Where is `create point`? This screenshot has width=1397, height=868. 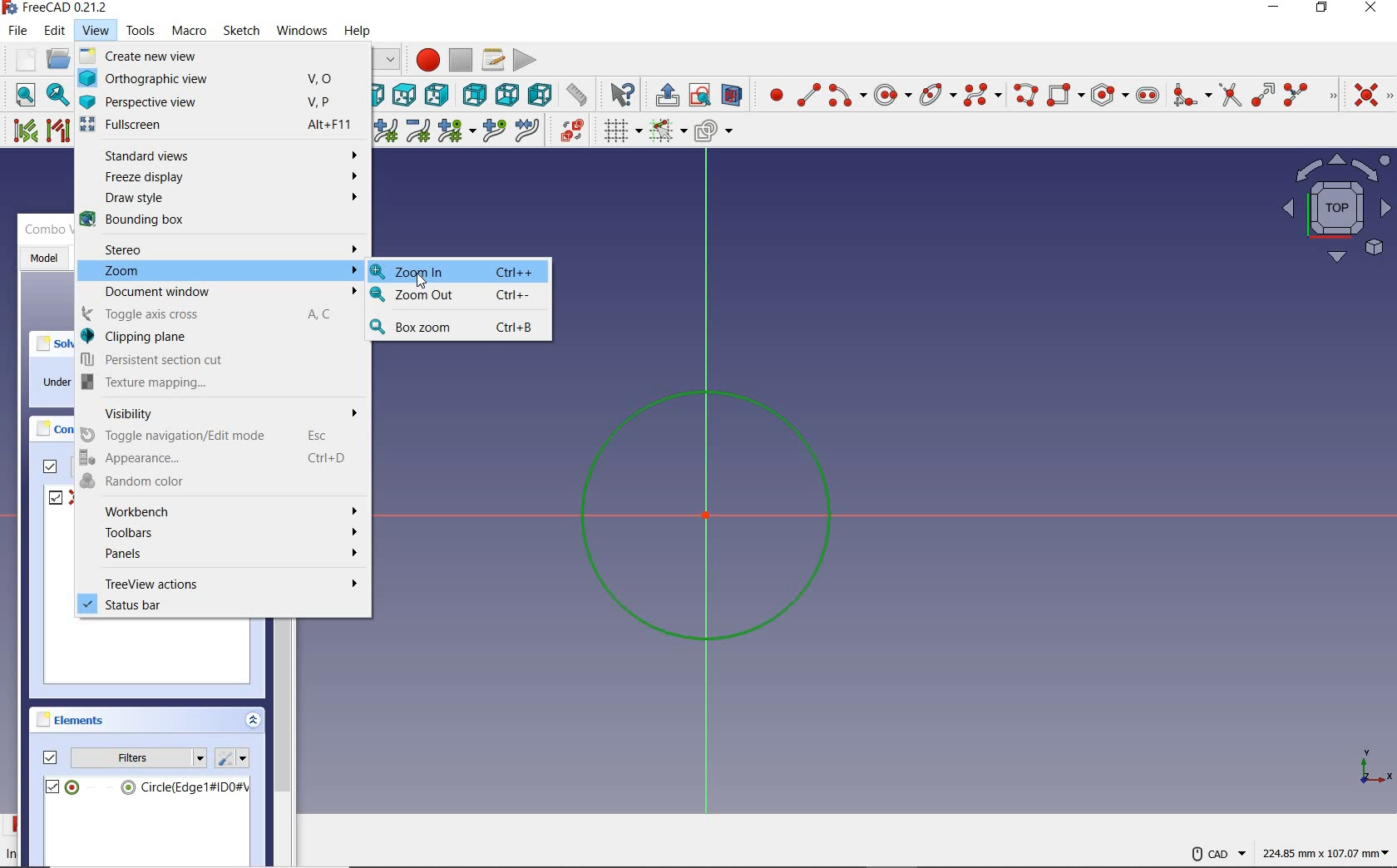
create point is located at coordinates (771, 94).